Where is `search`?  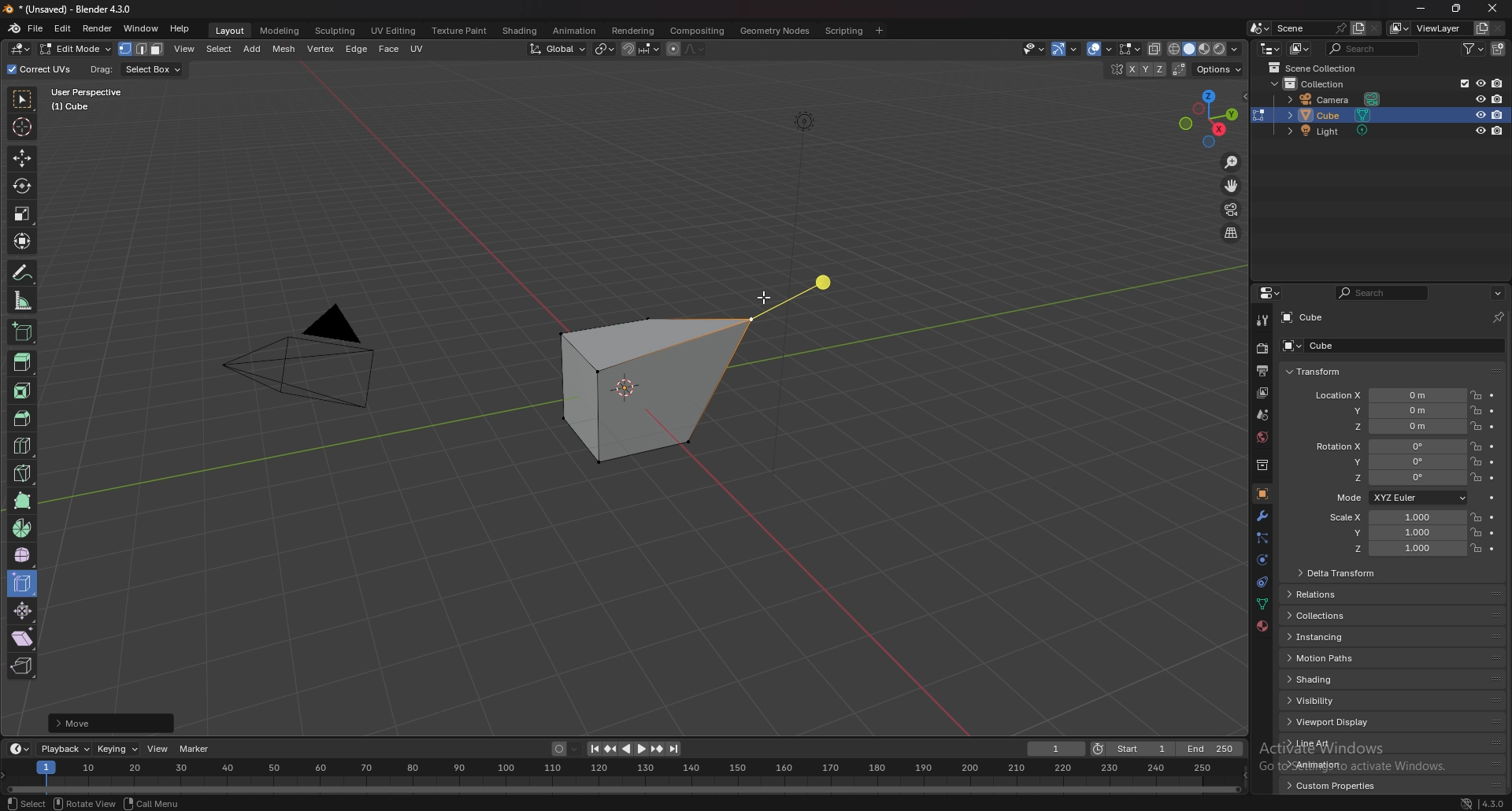
search is located at coordinates (1373, 48).